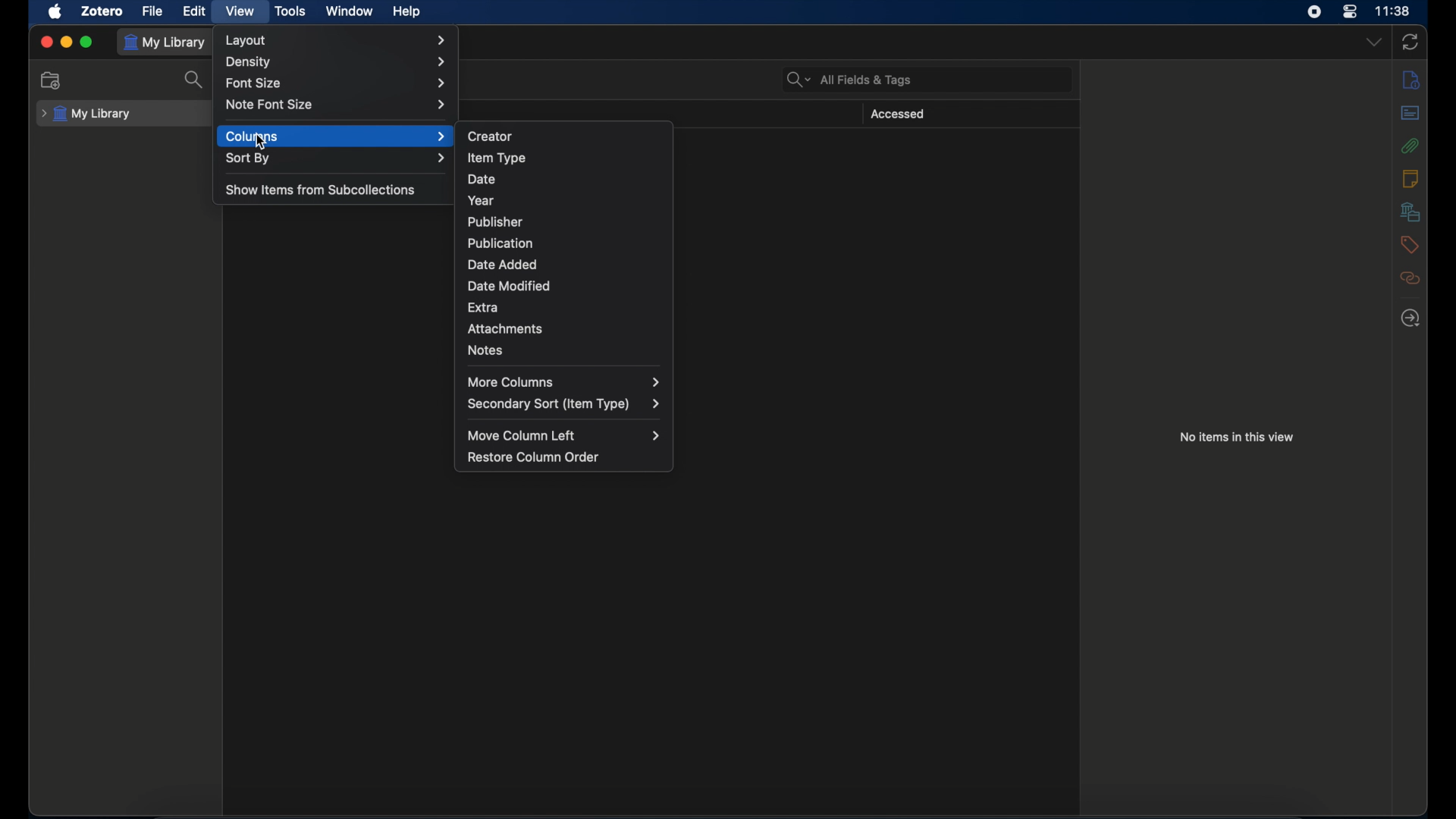 This screenshot has width=1456, height=819. Describe the element at coordinates (1409, 278) in the screenshot. I see `related` at that location.